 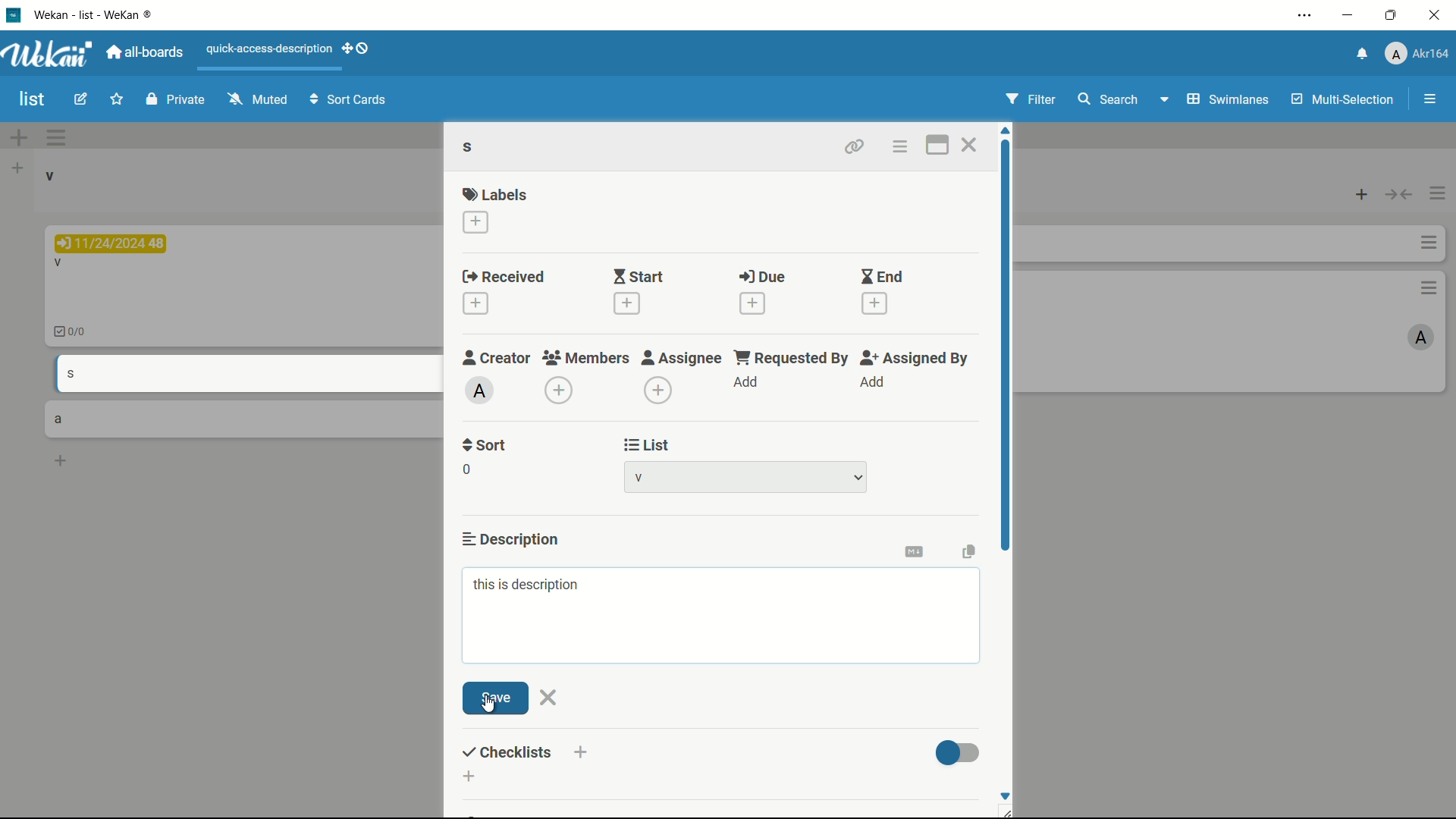 I want to click on add end date, so click(x=876, y=304).